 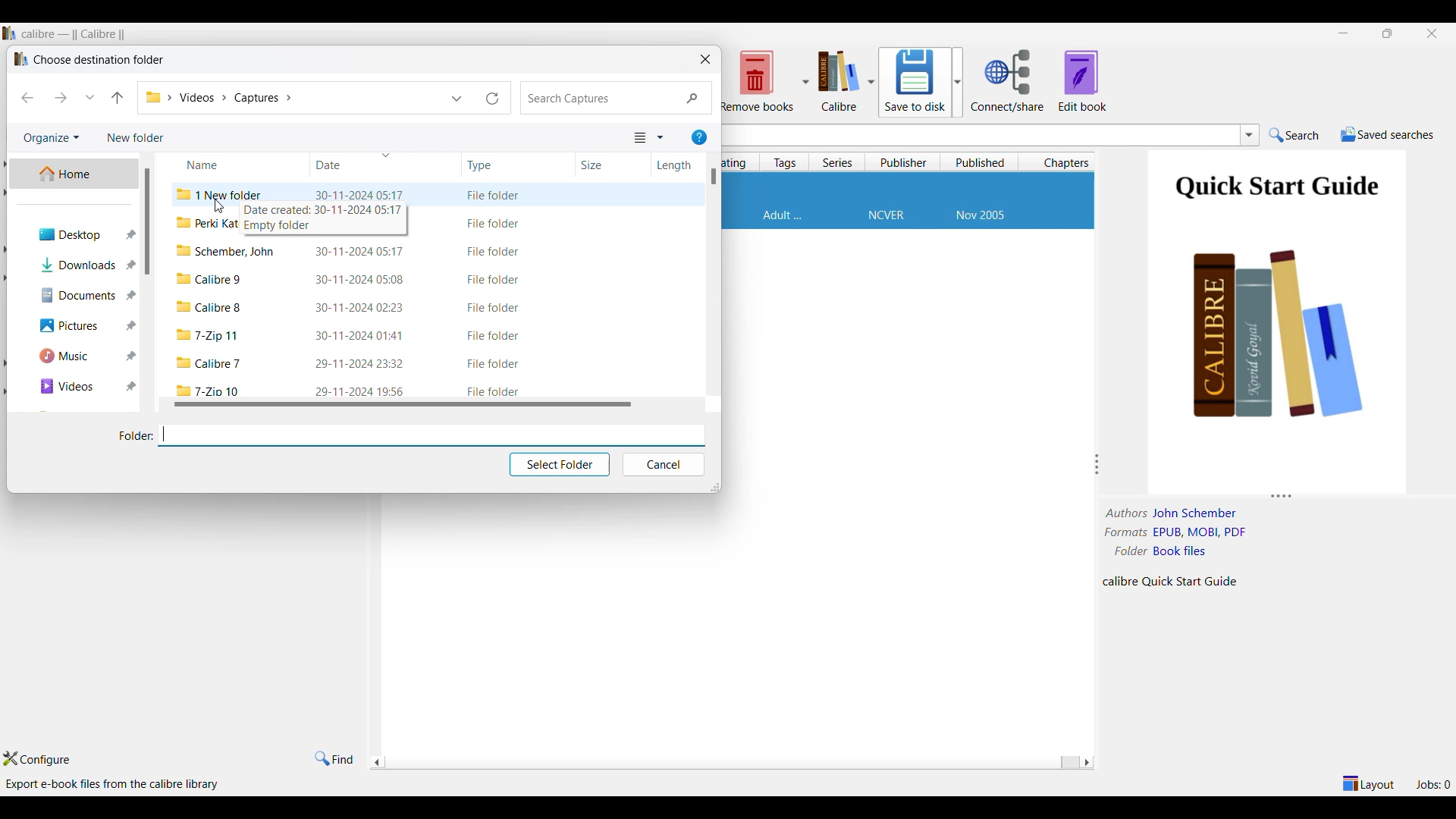 I want to click on folder, so click(x=227, y=252).